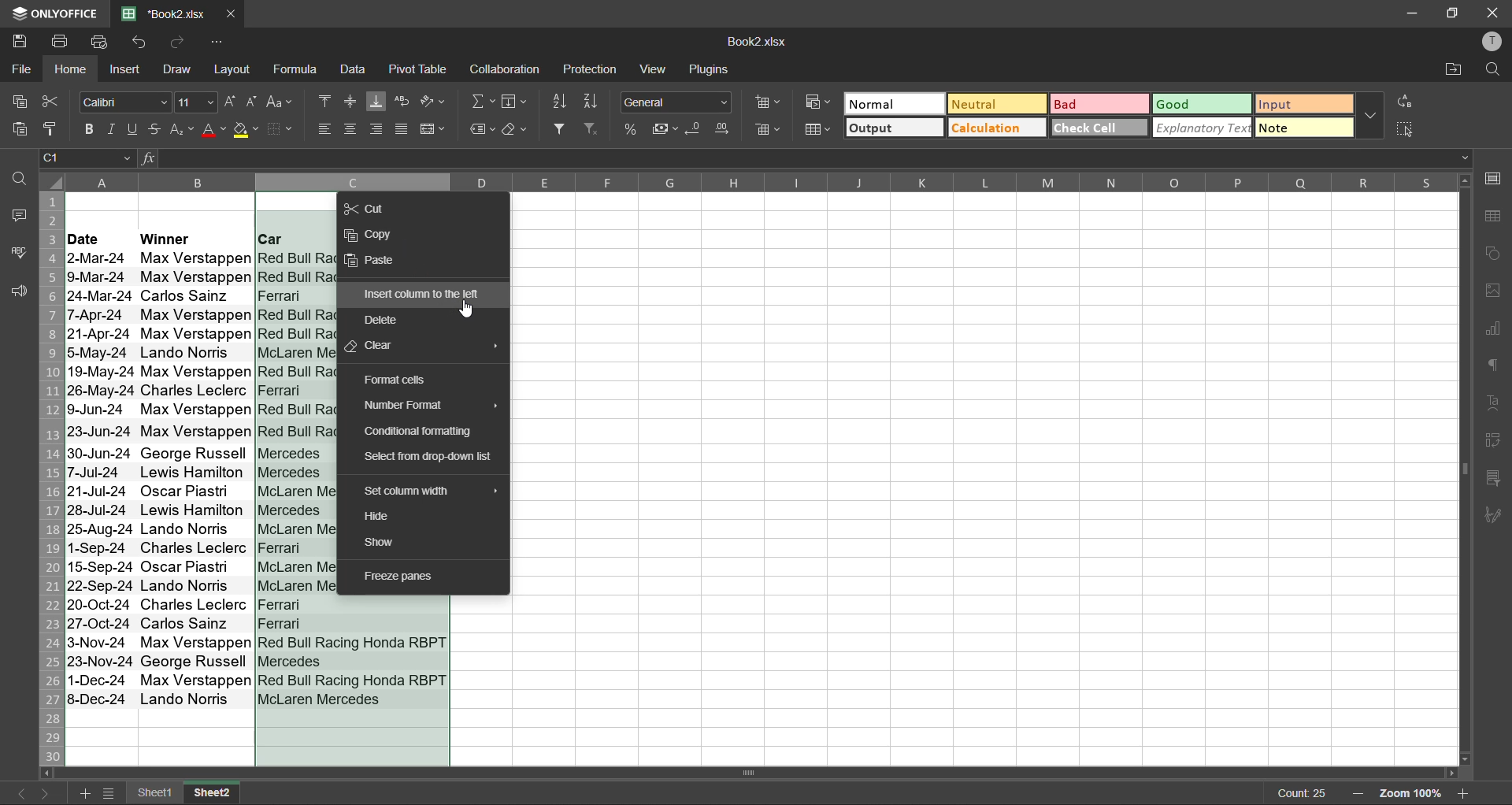 This screenshot has width=1512, height=805. Describe the element at coordinates (302, 70) in the screenshot. I see `formula` at that location.